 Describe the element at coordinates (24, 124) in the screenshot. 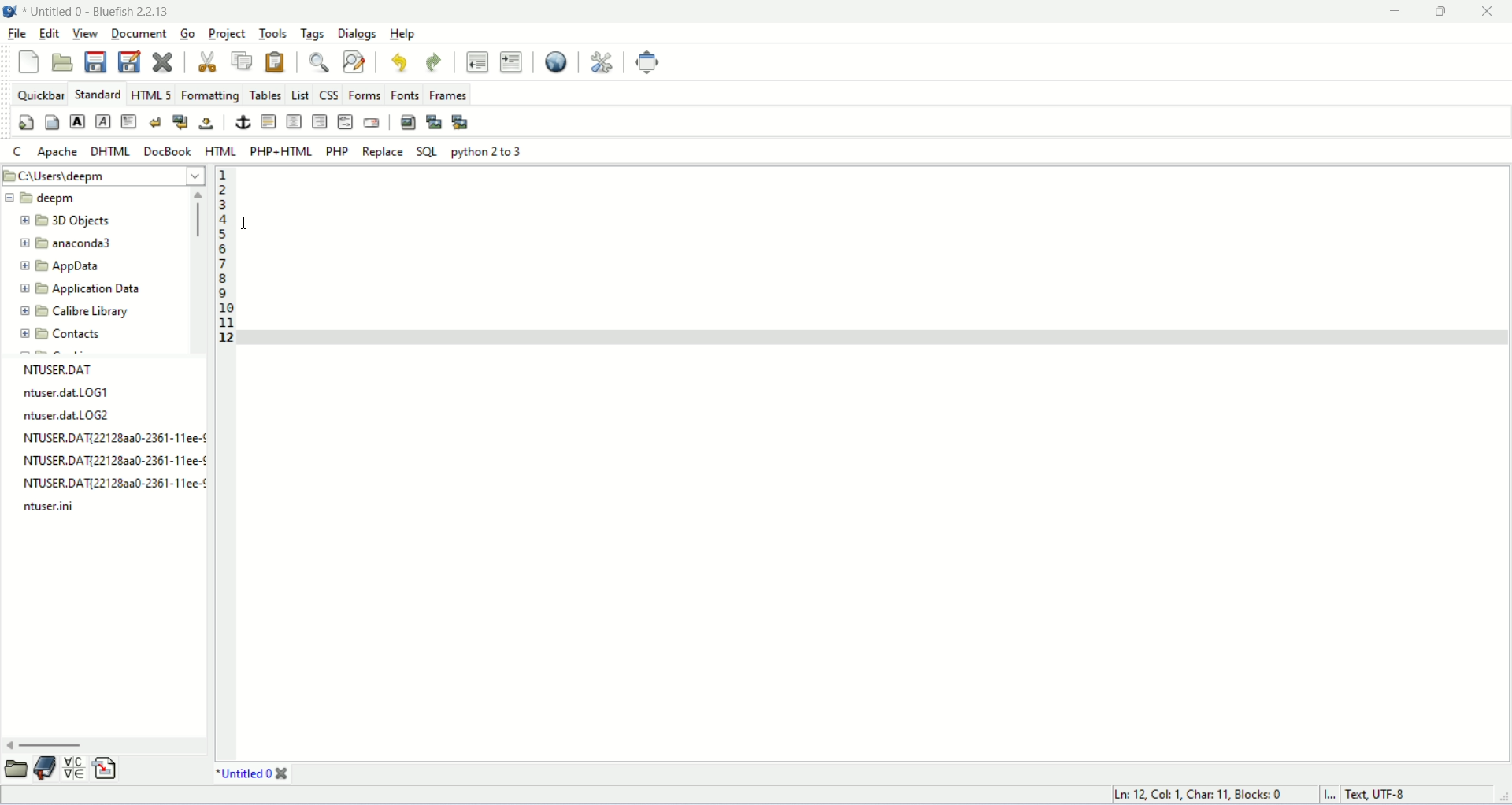

I see `quickstart` at that location.